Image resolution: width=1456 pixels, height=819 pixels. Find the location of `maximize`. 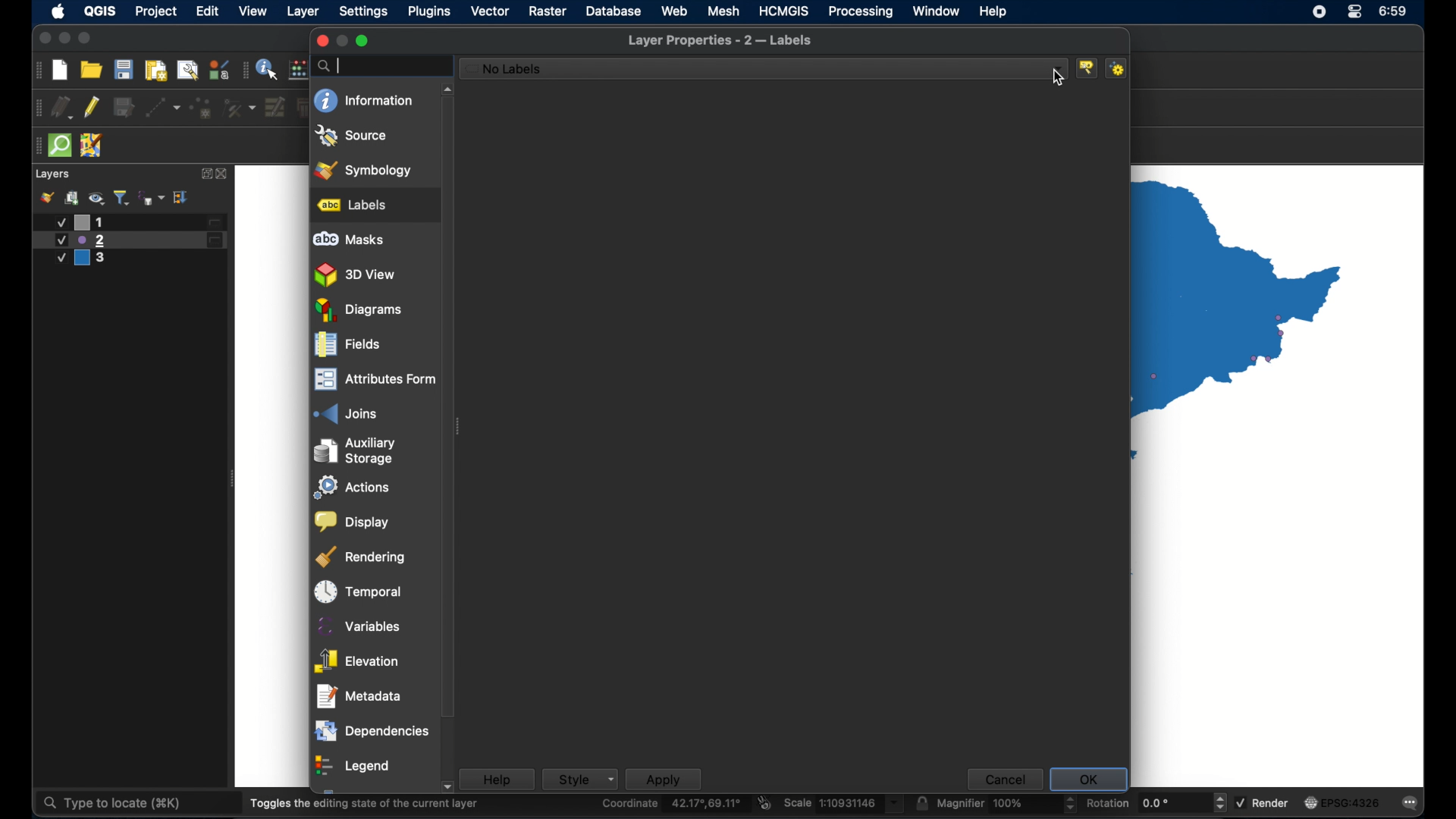

maximize is located at coordinates (363, 41).